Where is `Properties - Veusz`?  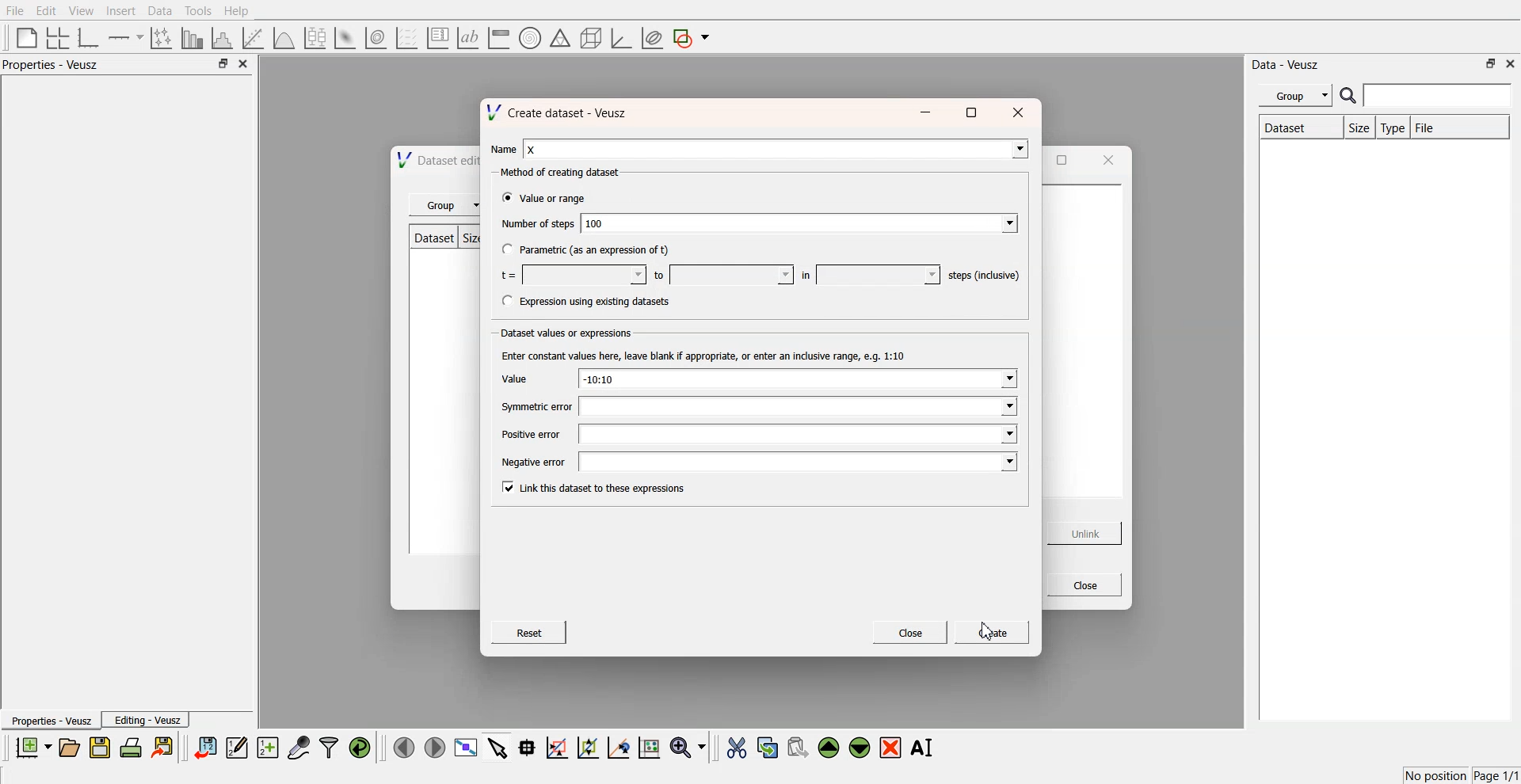
Properties - Veusz is located at coordinates (51, 721).